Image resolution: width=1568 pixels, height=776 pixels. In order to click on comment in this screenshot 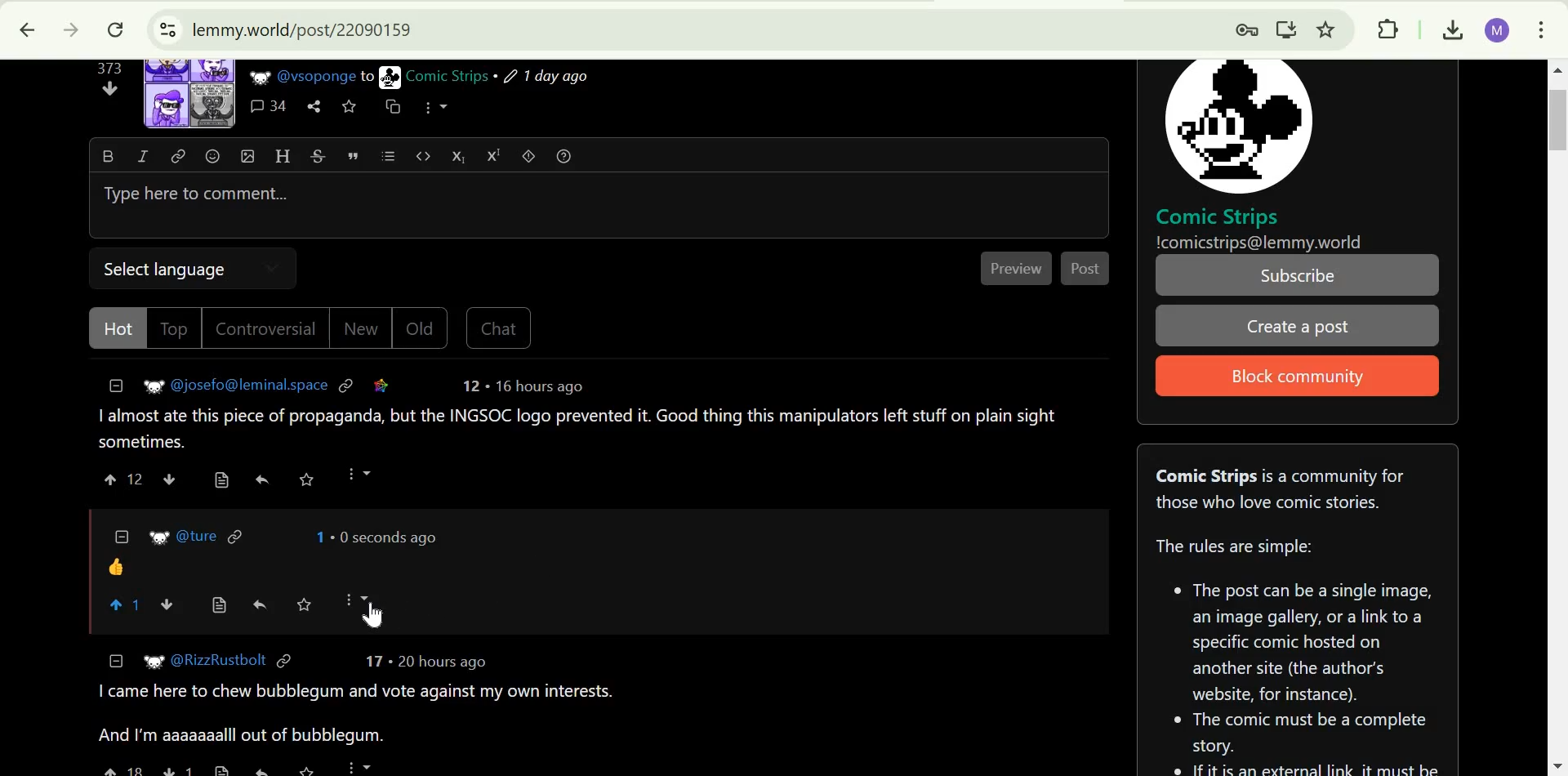, I will do `click(361, 716)`.